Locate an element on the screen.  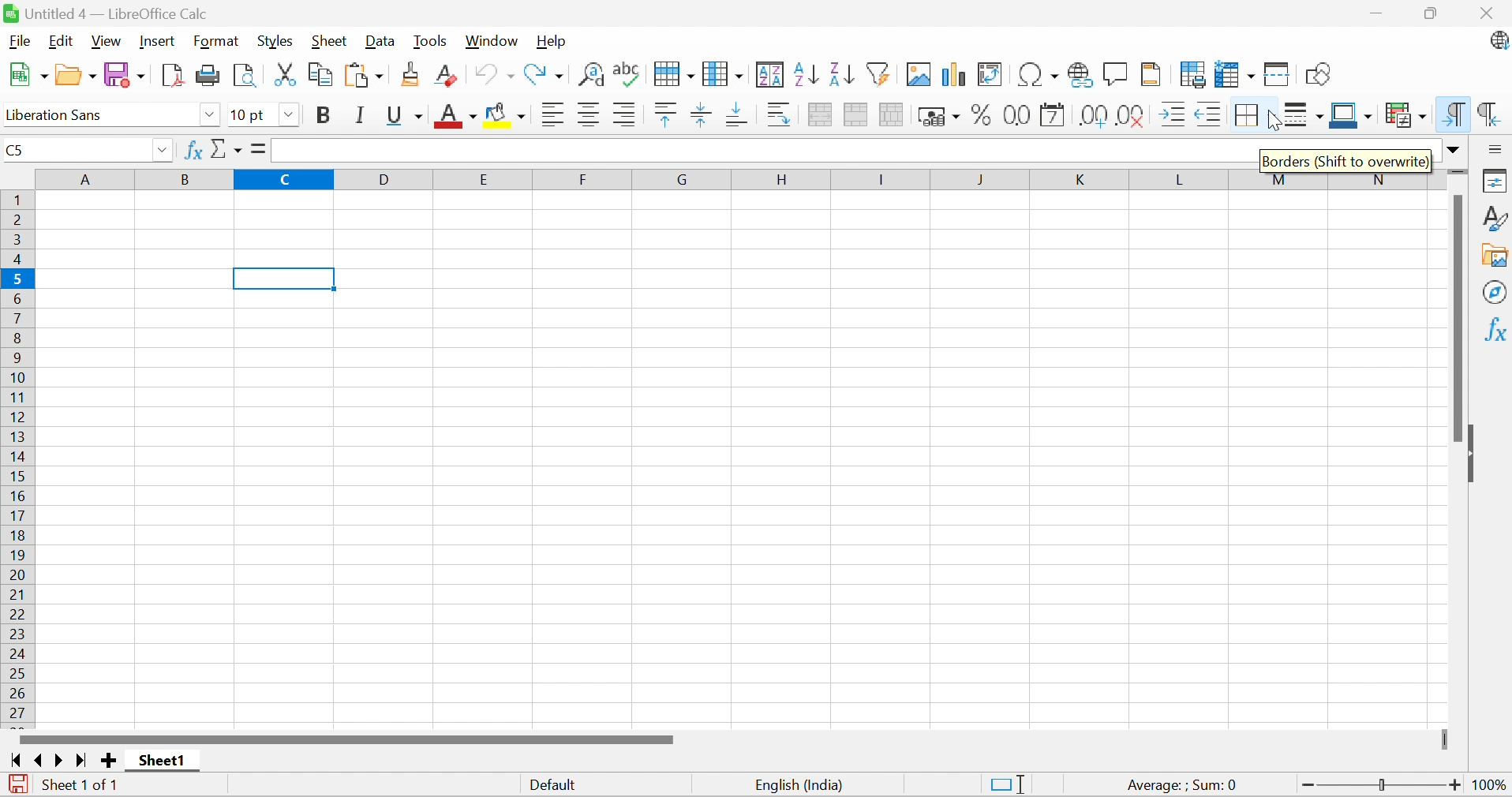
Help is located at coordinates (551, 40).